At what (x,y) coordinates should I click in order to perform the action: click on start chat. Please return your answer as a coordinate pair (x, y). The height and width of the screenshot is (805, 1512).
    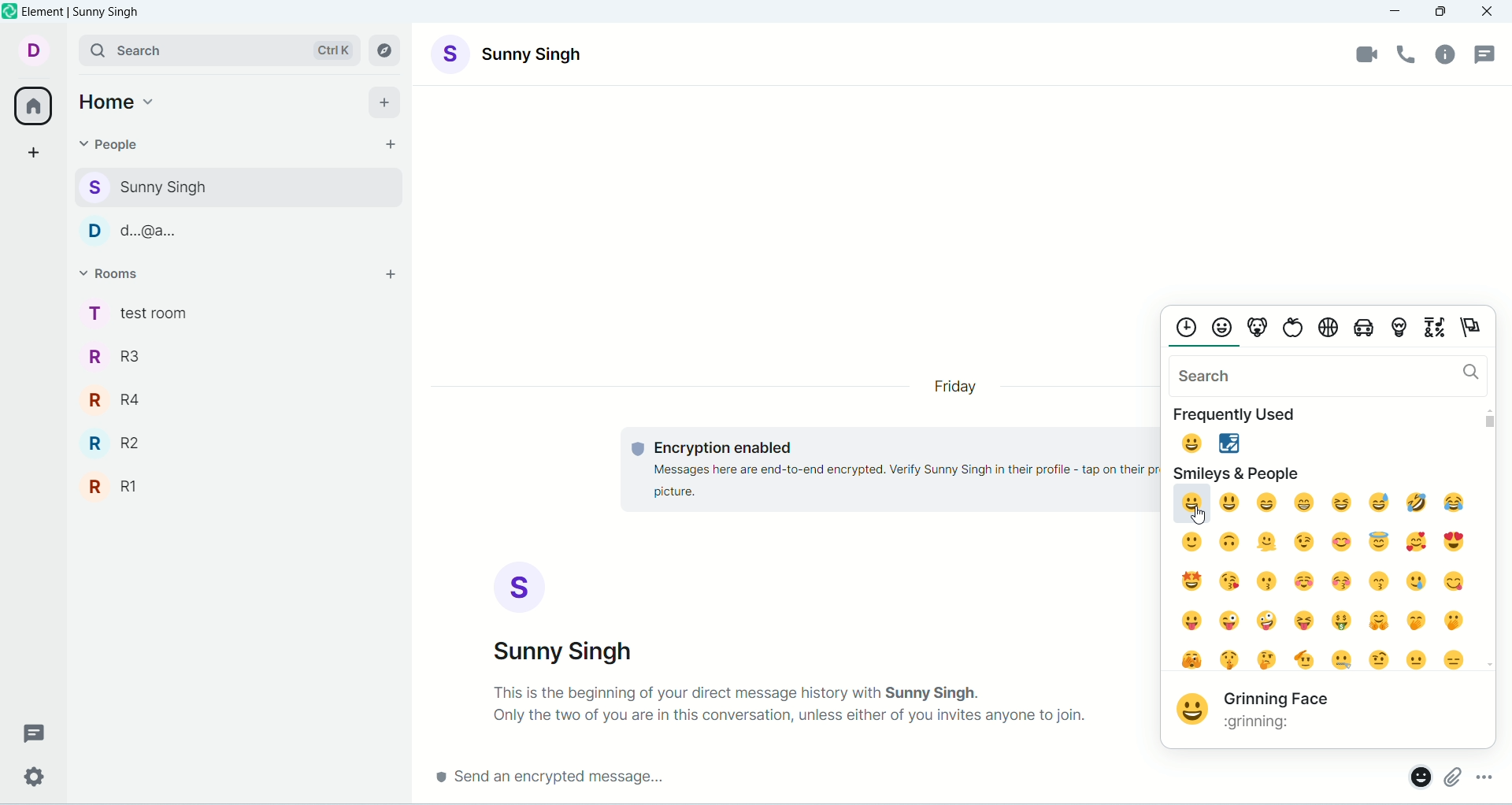
    Looking at the image, I should click on (387, 144).